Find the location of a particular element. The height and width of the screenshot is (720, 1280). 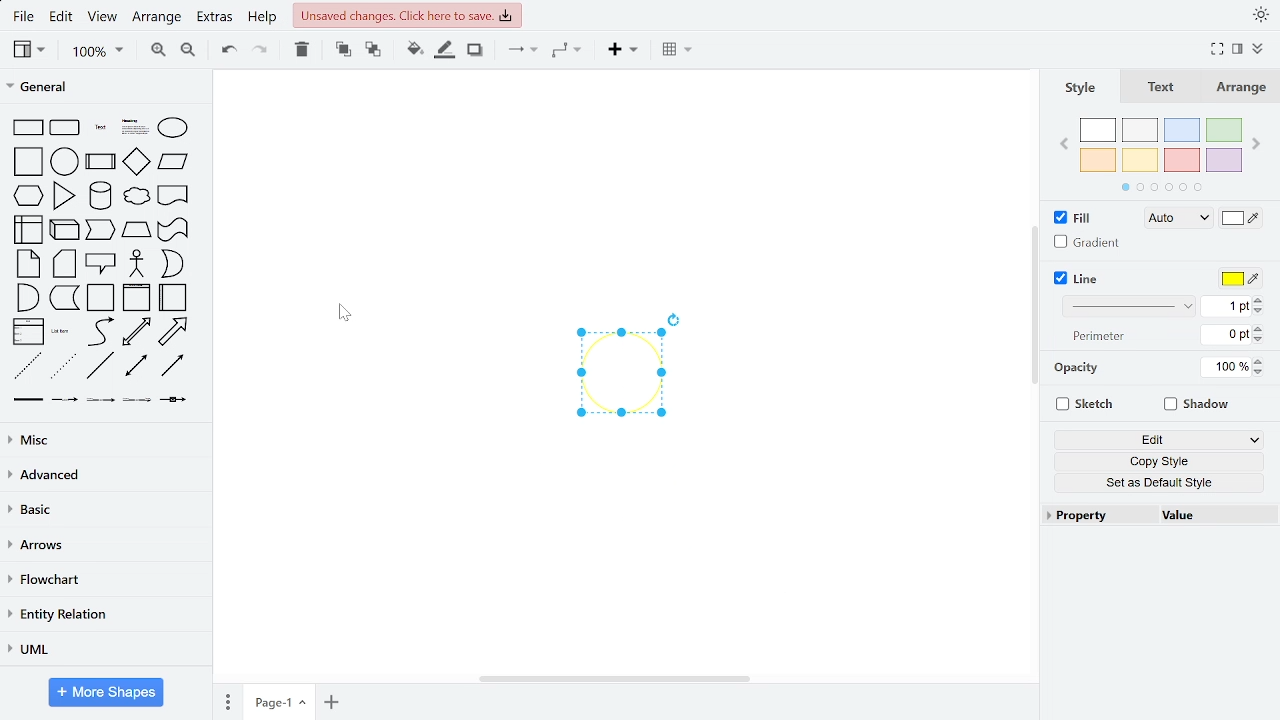

arrow is located at coordinates (174, 332).